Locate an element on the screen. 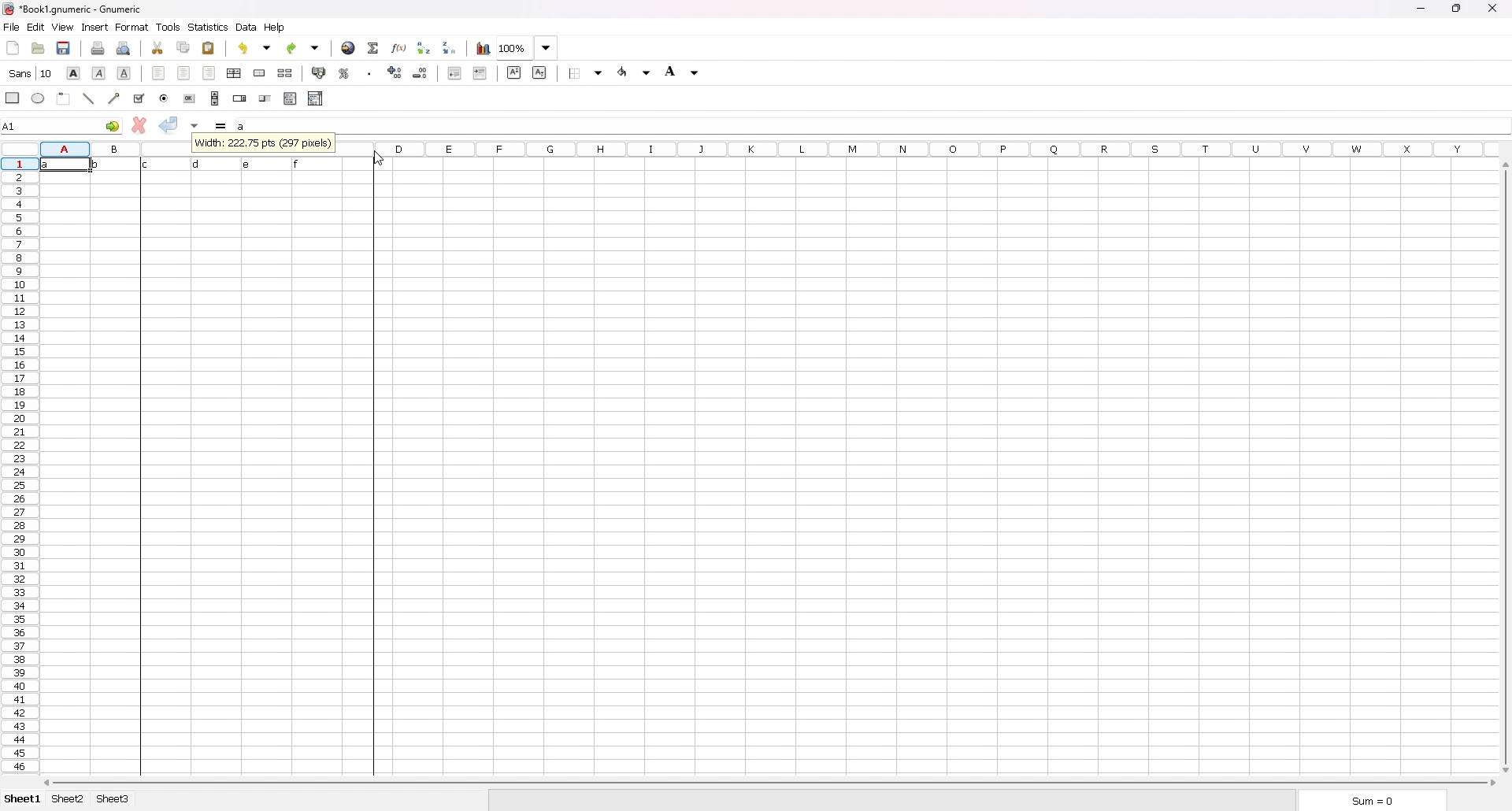  radio button is located at coordinates (165, 98).